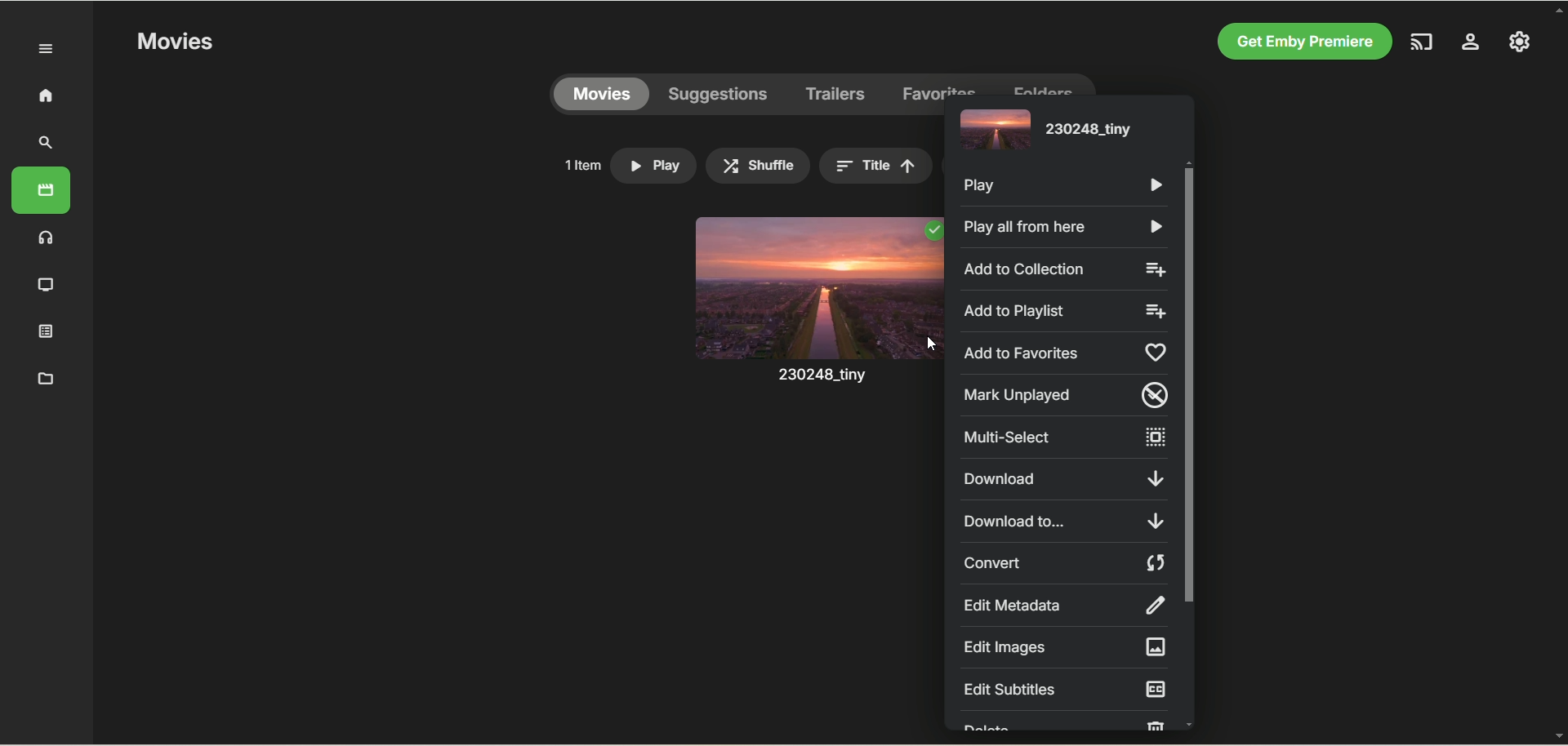 This screenshot has height=746, width=1568. What do you see at coordinates (1062, 605) in the screenshot?
I see `edit metadata` at bounding box center [1062, 605].